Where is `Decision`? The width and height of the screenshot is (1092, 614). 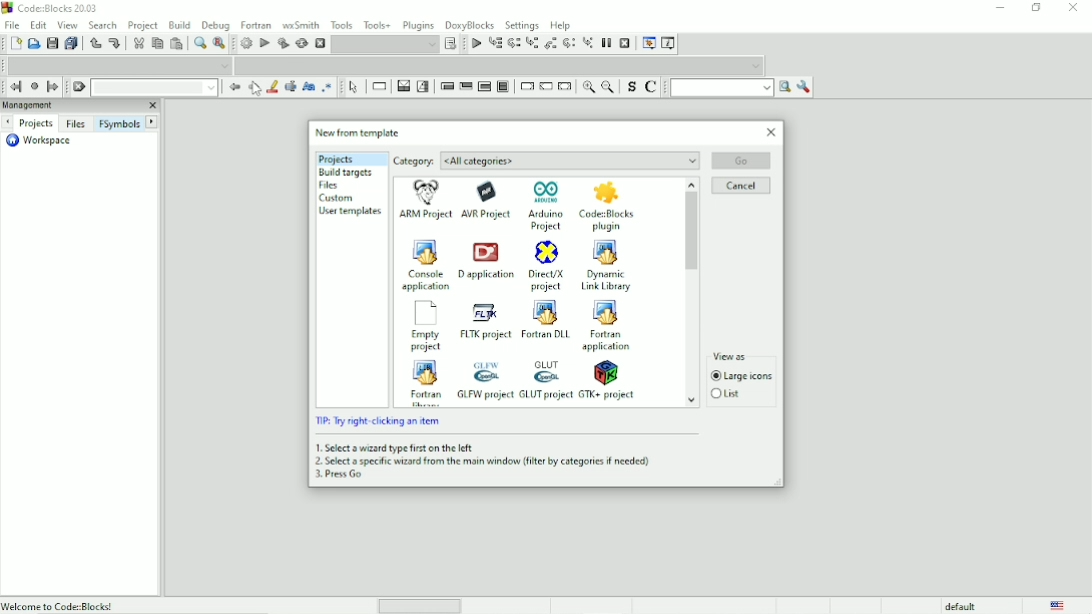
Decision is located at coordinates (403, 86).